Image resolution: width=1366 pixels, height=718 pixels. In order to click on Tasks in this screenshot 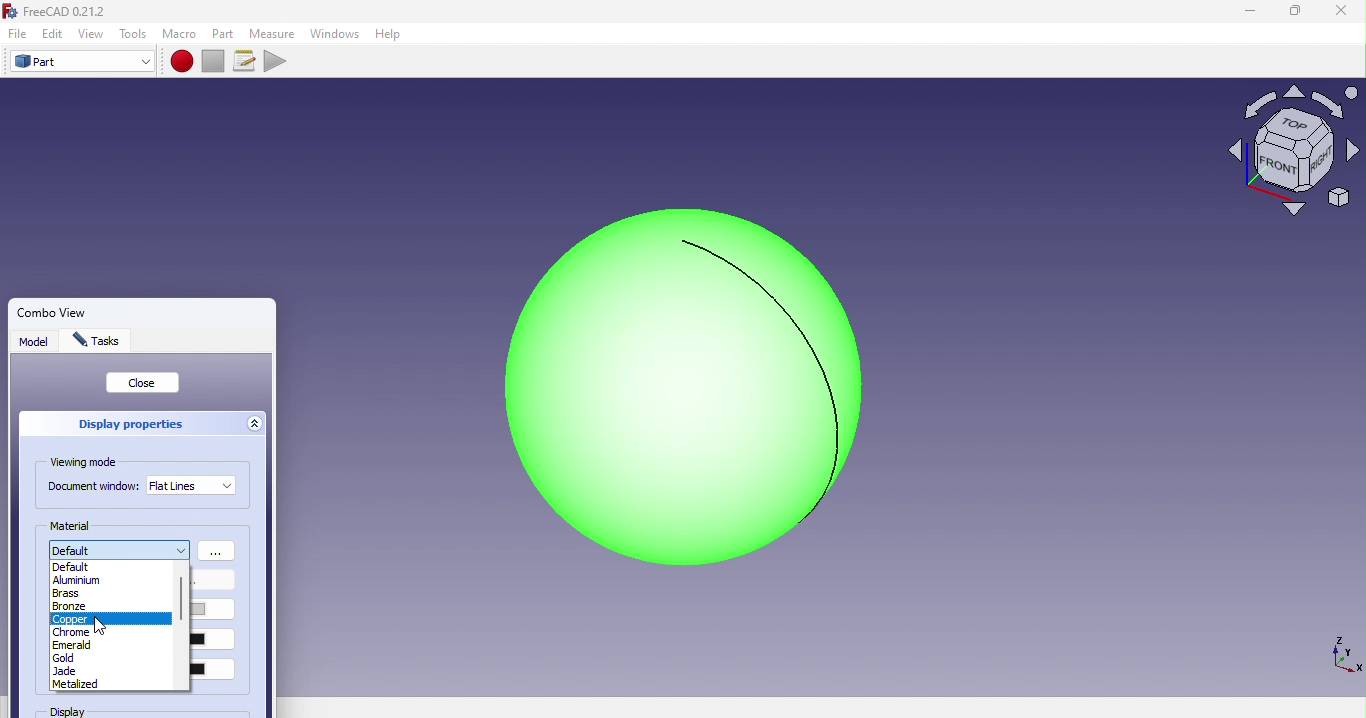, I will do `click(101, 342)`.